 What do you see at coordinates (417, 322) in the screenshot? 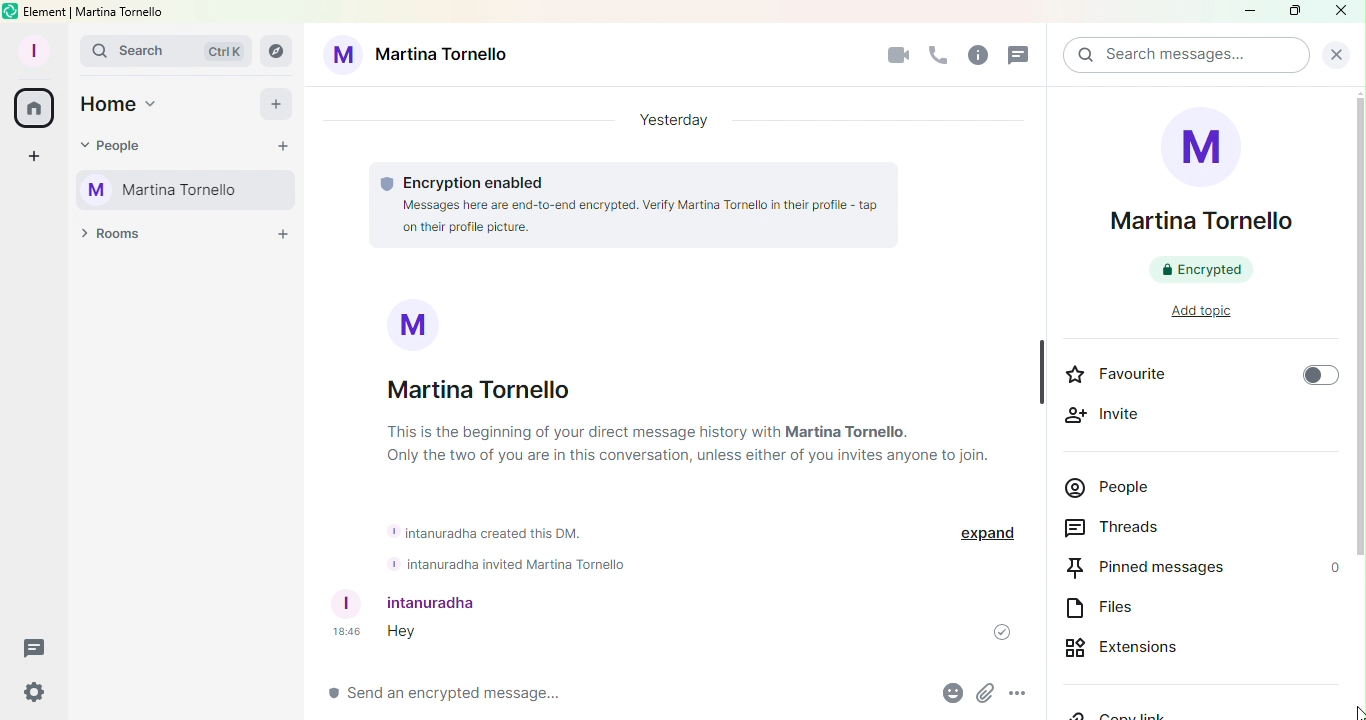
I see `M` at bounding box center [417, 322].